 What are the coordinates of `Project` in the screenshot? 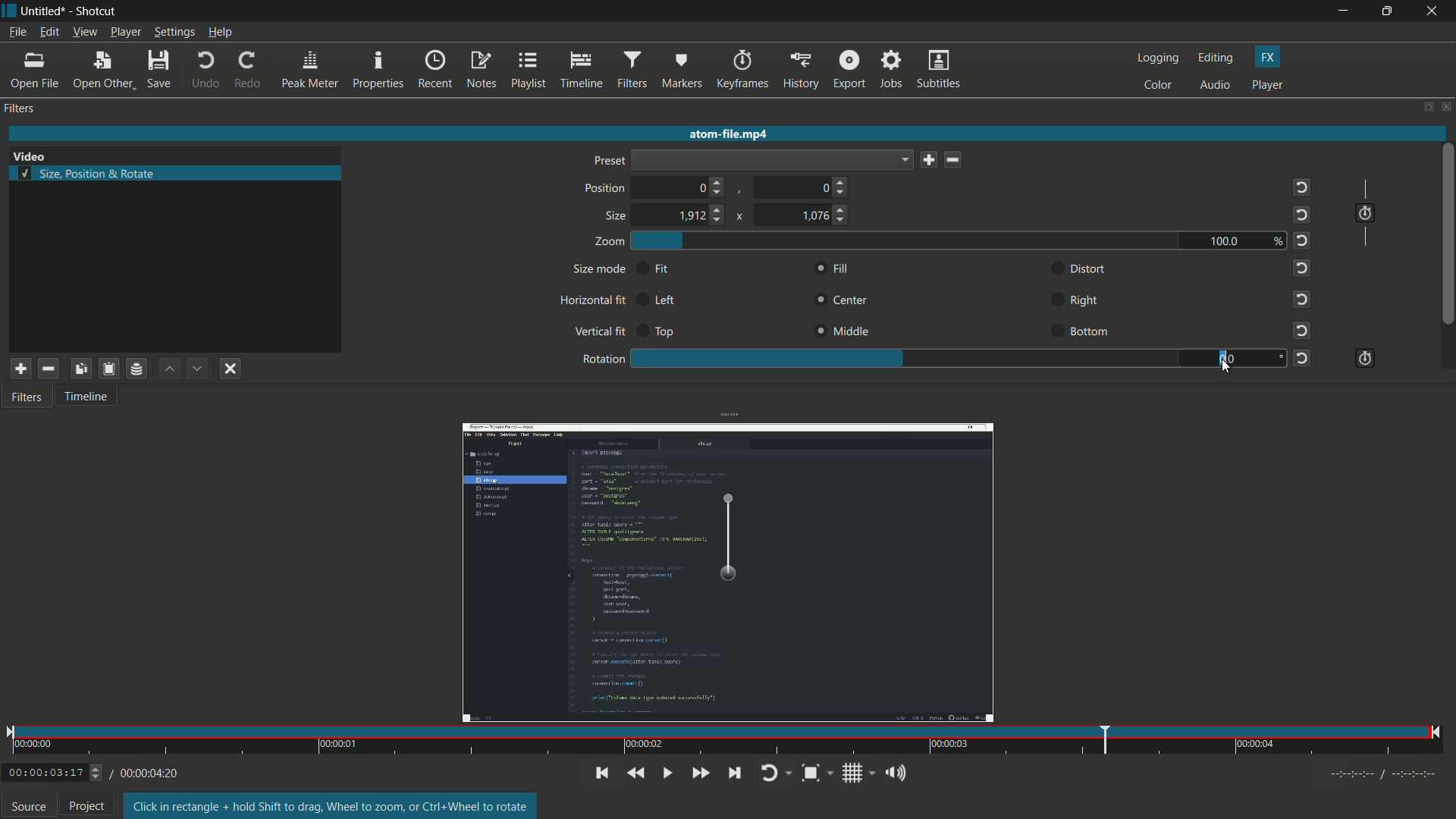 It's located at (93, 805).